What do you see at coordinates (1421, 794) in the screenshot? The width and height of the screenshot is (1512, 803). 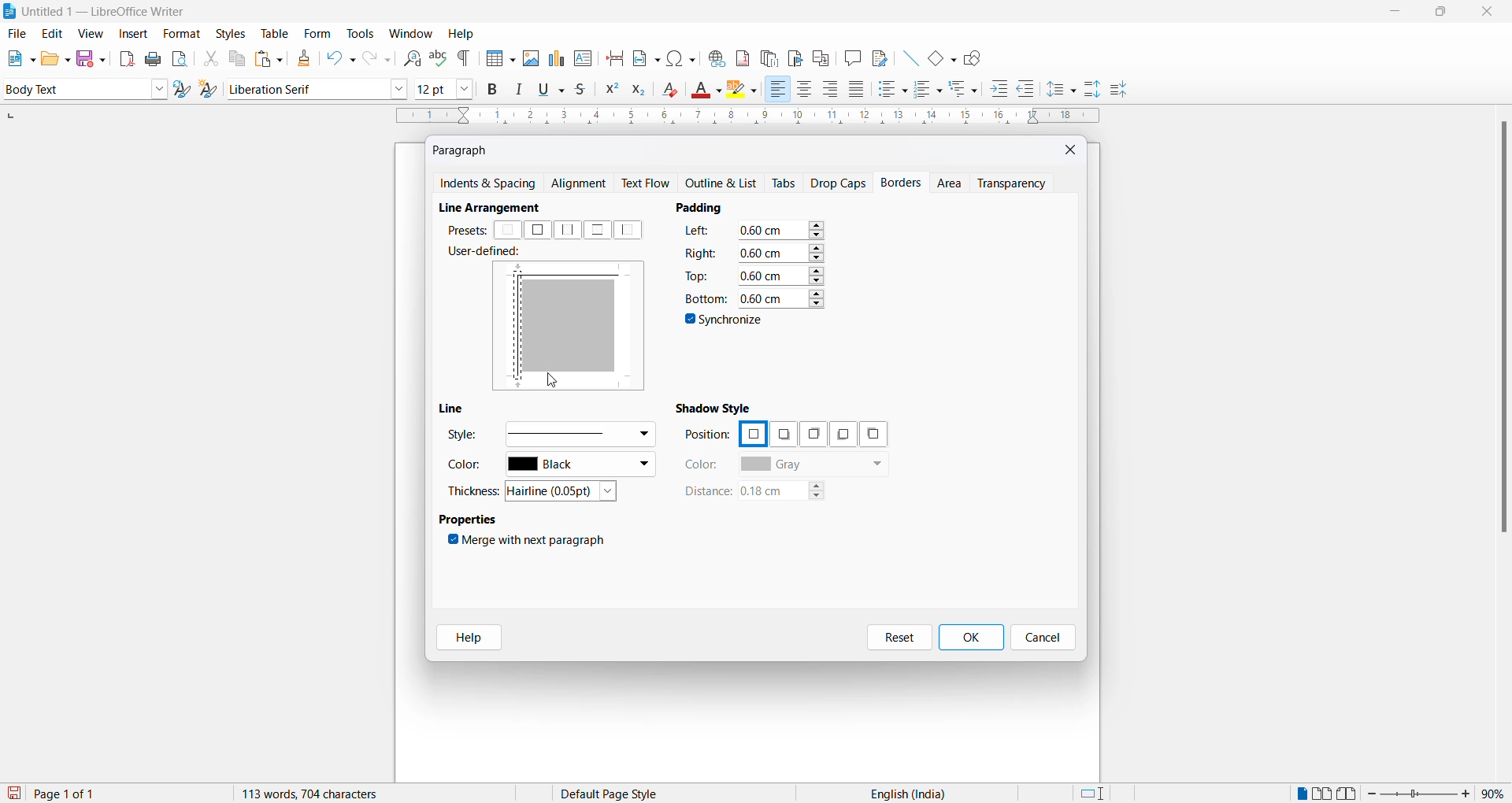 I see `zoom slider` at bounding box center [1421, 794].